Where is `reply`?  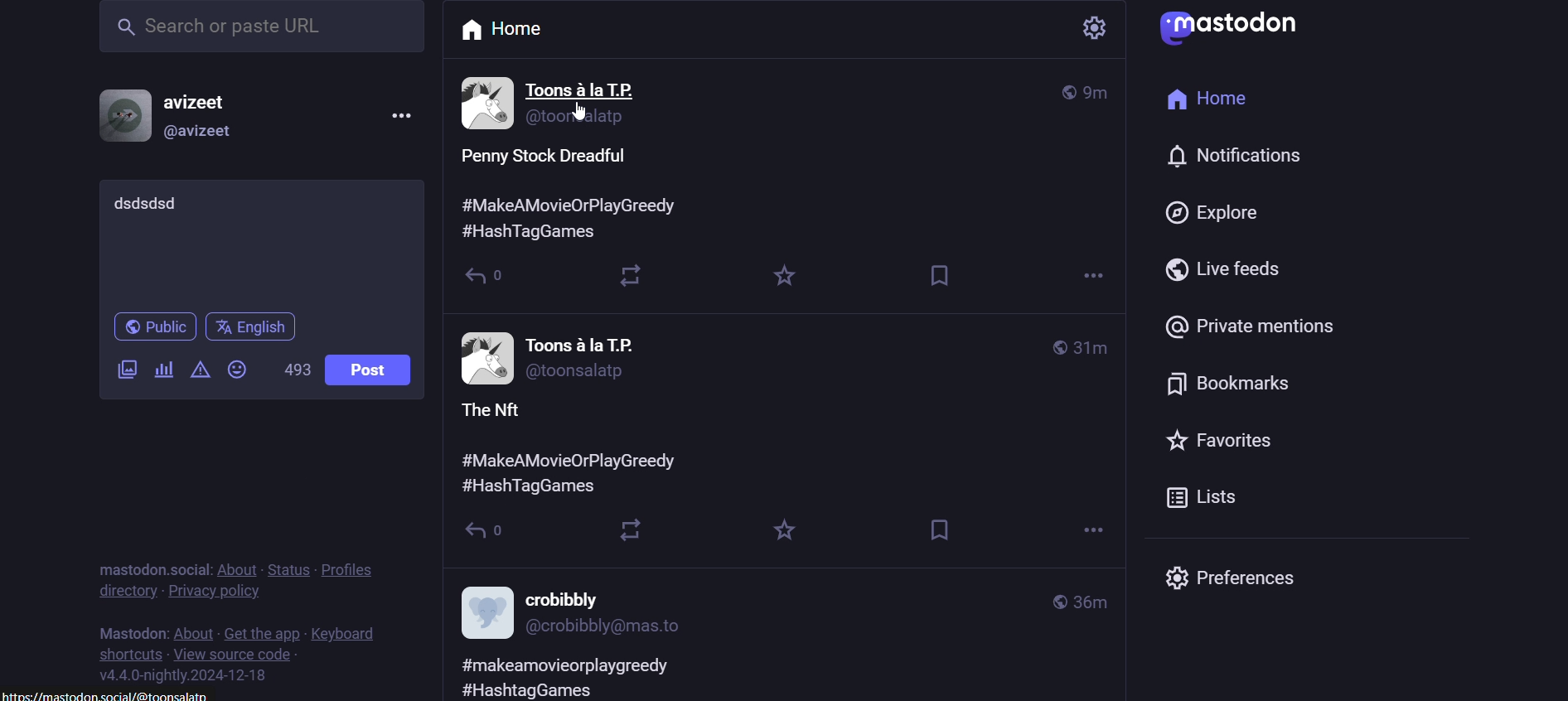 reply is located at coordinates (486, 277).